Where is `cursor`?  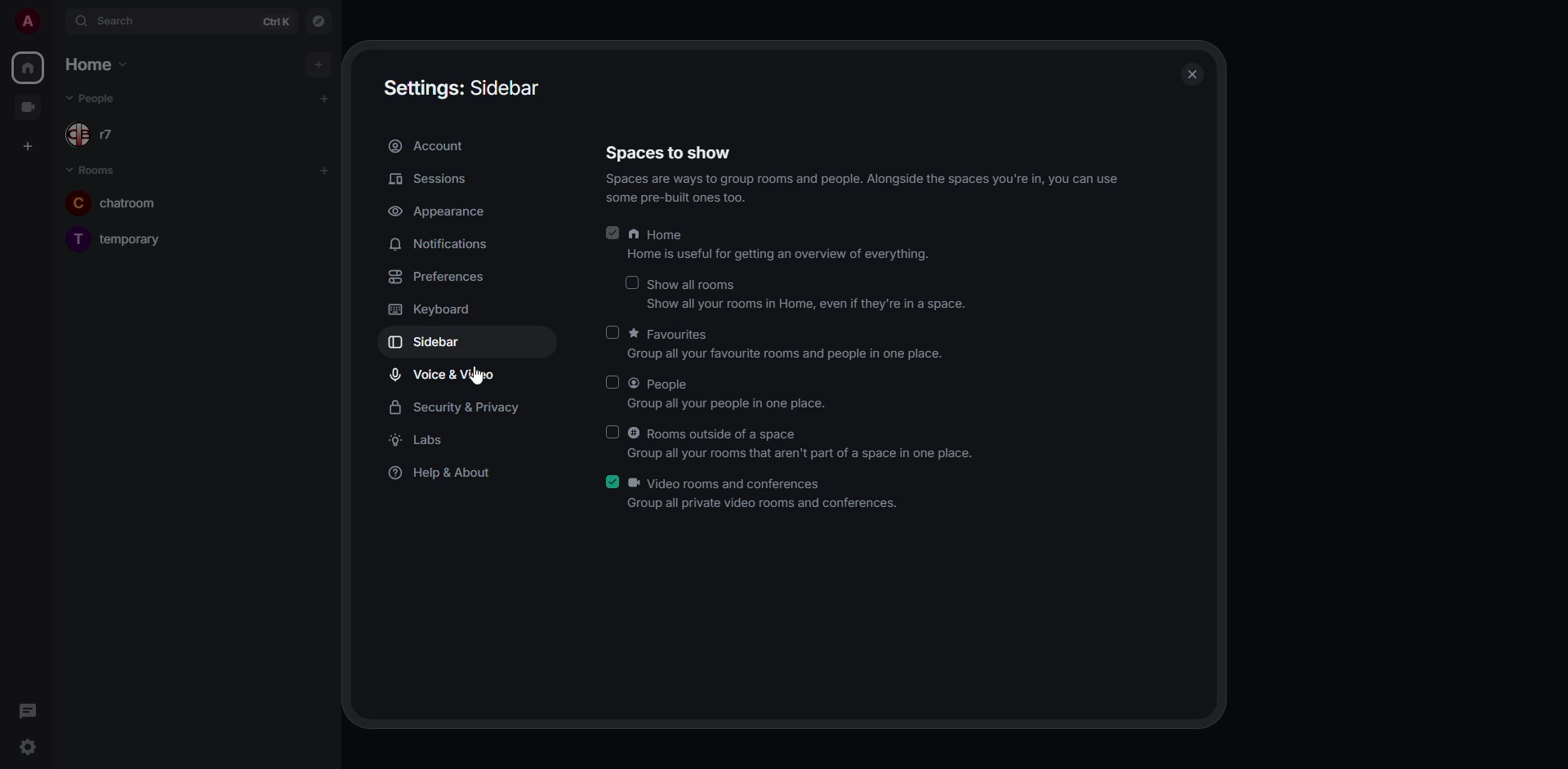 cursor is located at coordinates (474, 376).